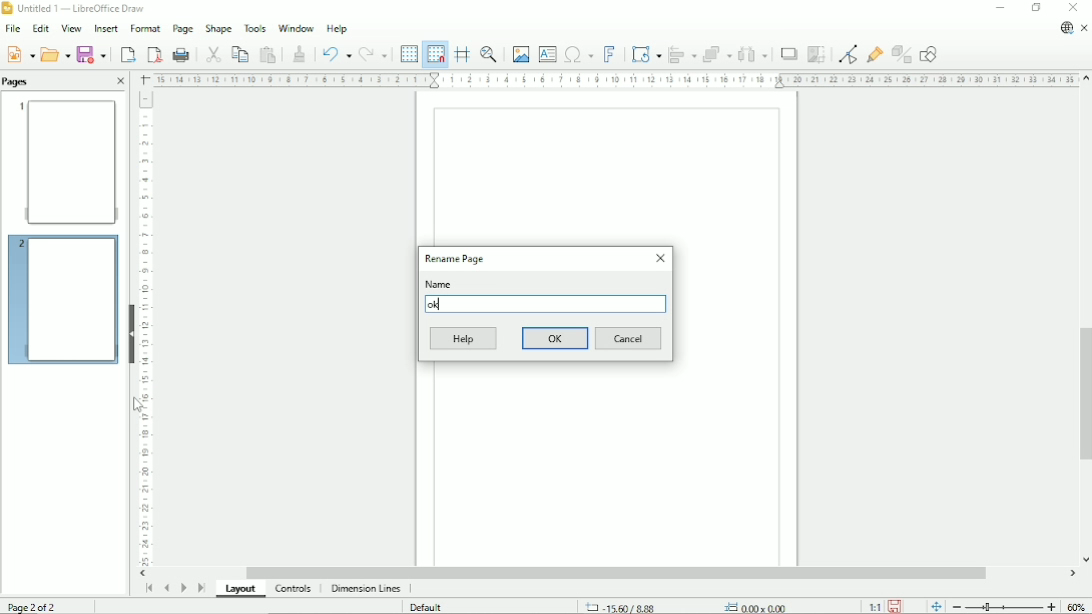 Image resolution: width=1092 pixels, height=614 pixels. I want to click on Toggle point edit mode, so click(850, 53).